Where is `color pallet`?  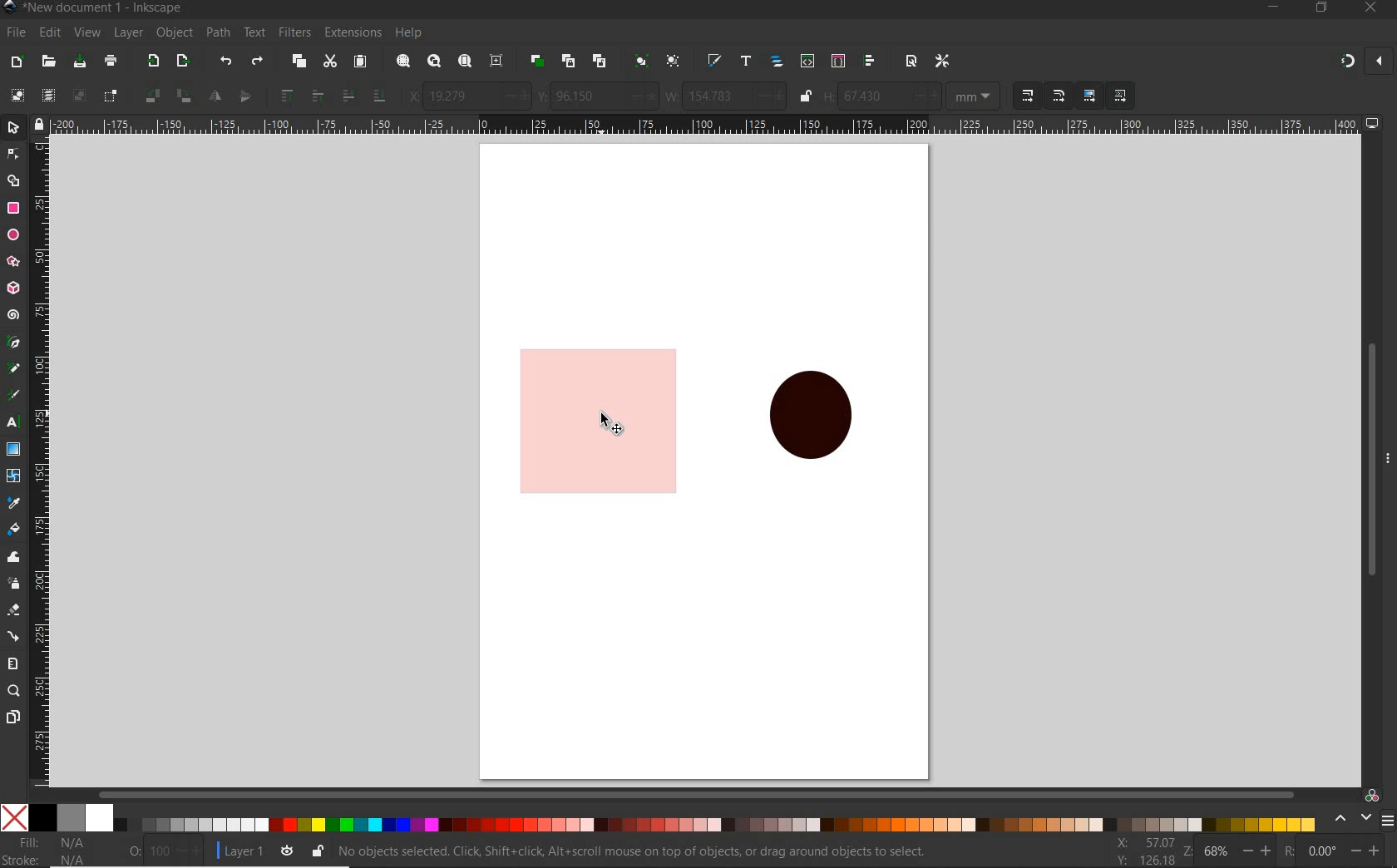 color pallet is located at coordinates (689, 818).